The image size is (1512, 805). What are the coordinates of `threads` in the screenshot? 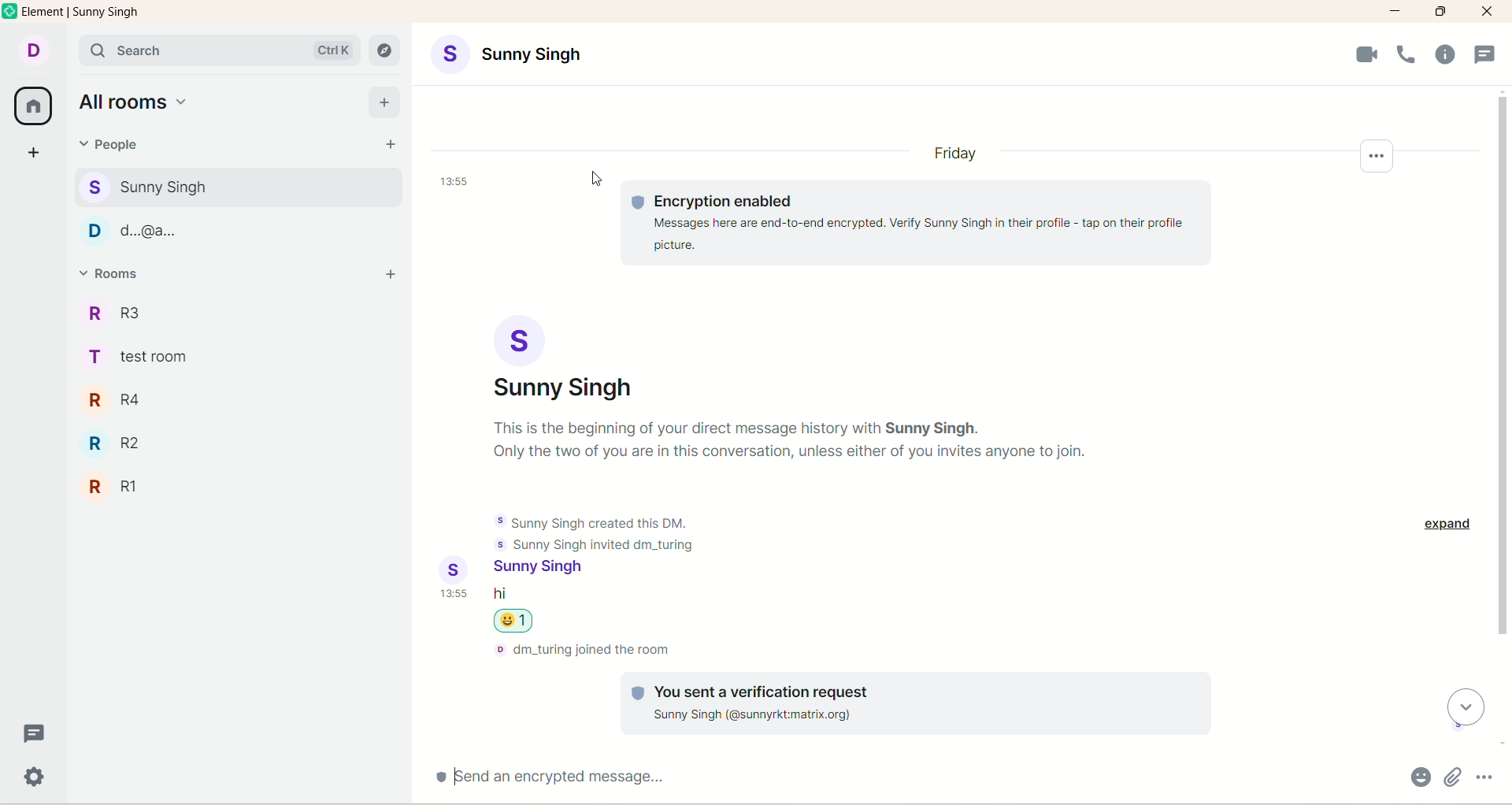 It's located at (1485, 54).